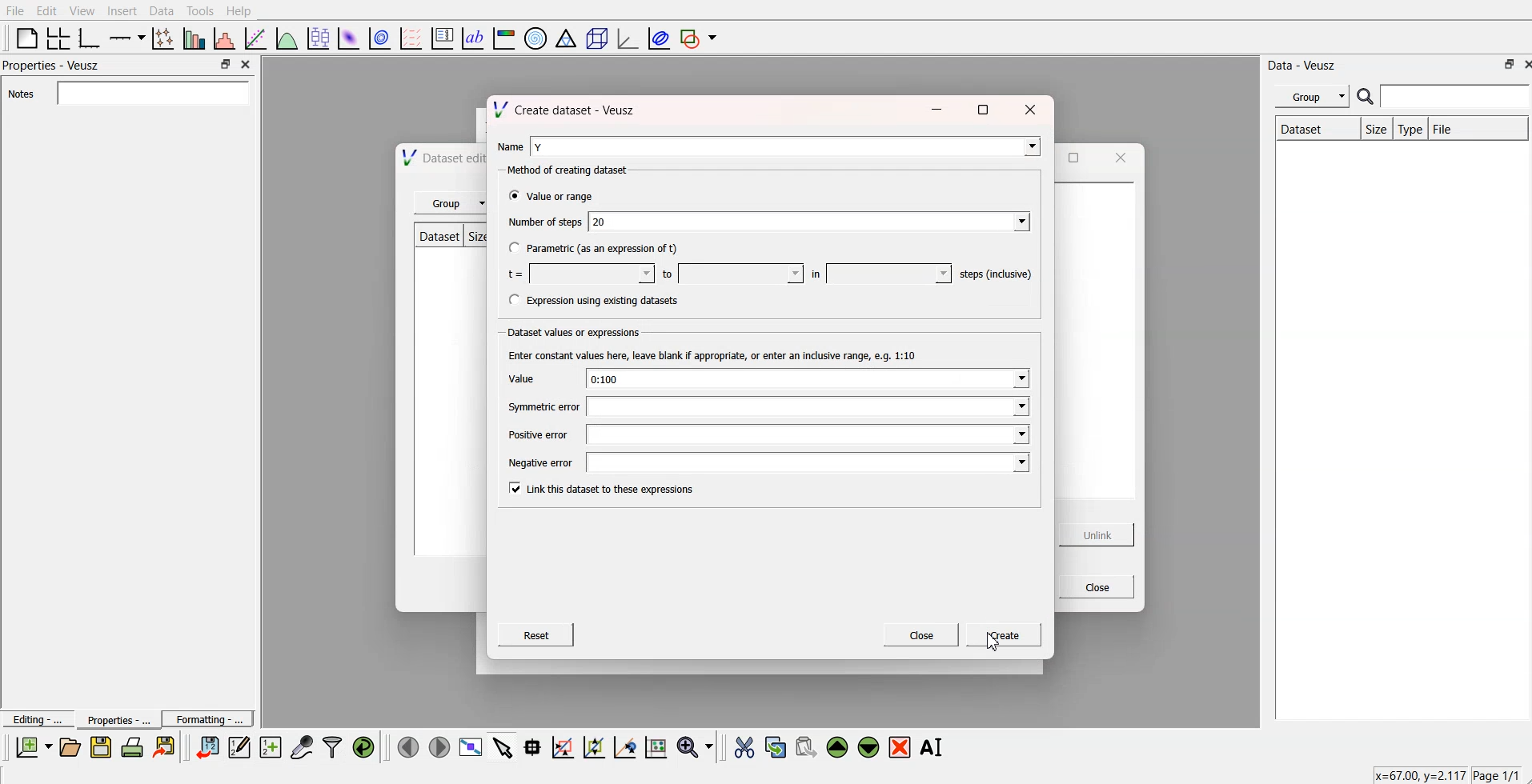  What do you see at coordinates (90, 37) in the screenshot?
I see `base graph` at bounding box center [90, 37].